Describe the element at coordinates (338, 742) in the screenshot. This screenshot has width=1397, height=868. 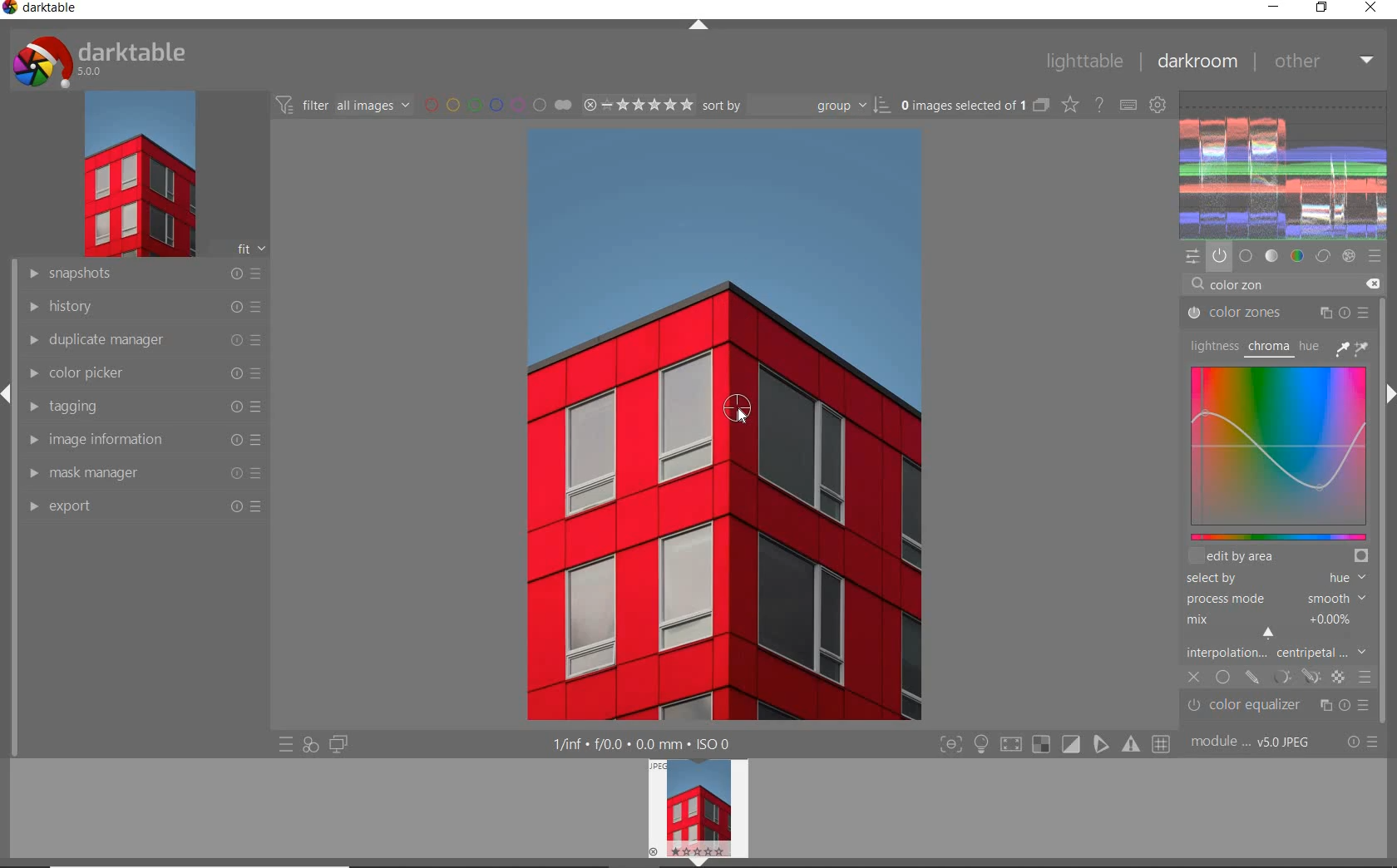
I see `display a second darkroom image widow` at that location.